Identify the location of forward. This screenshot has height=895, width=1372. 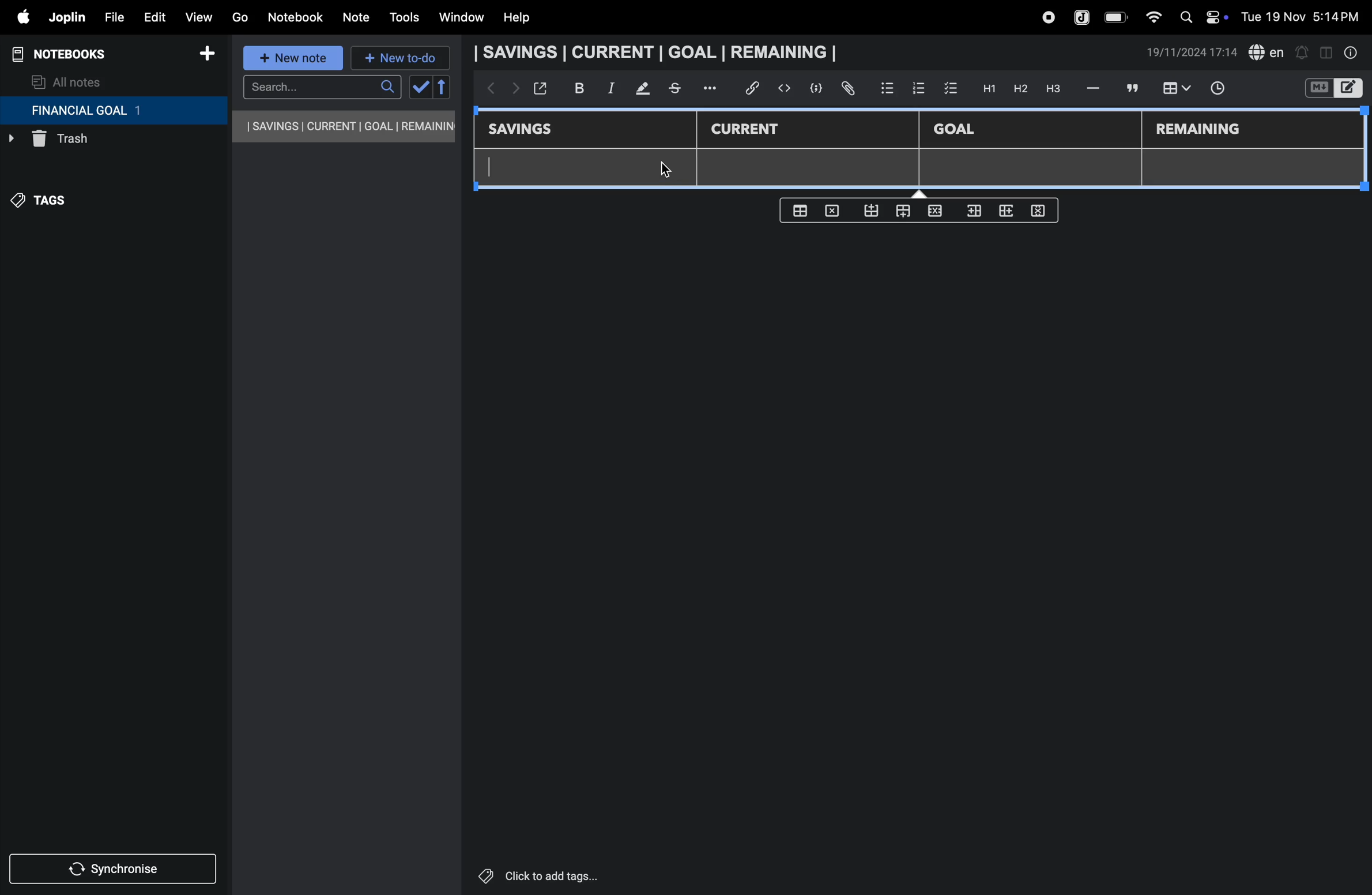
(512, 91).